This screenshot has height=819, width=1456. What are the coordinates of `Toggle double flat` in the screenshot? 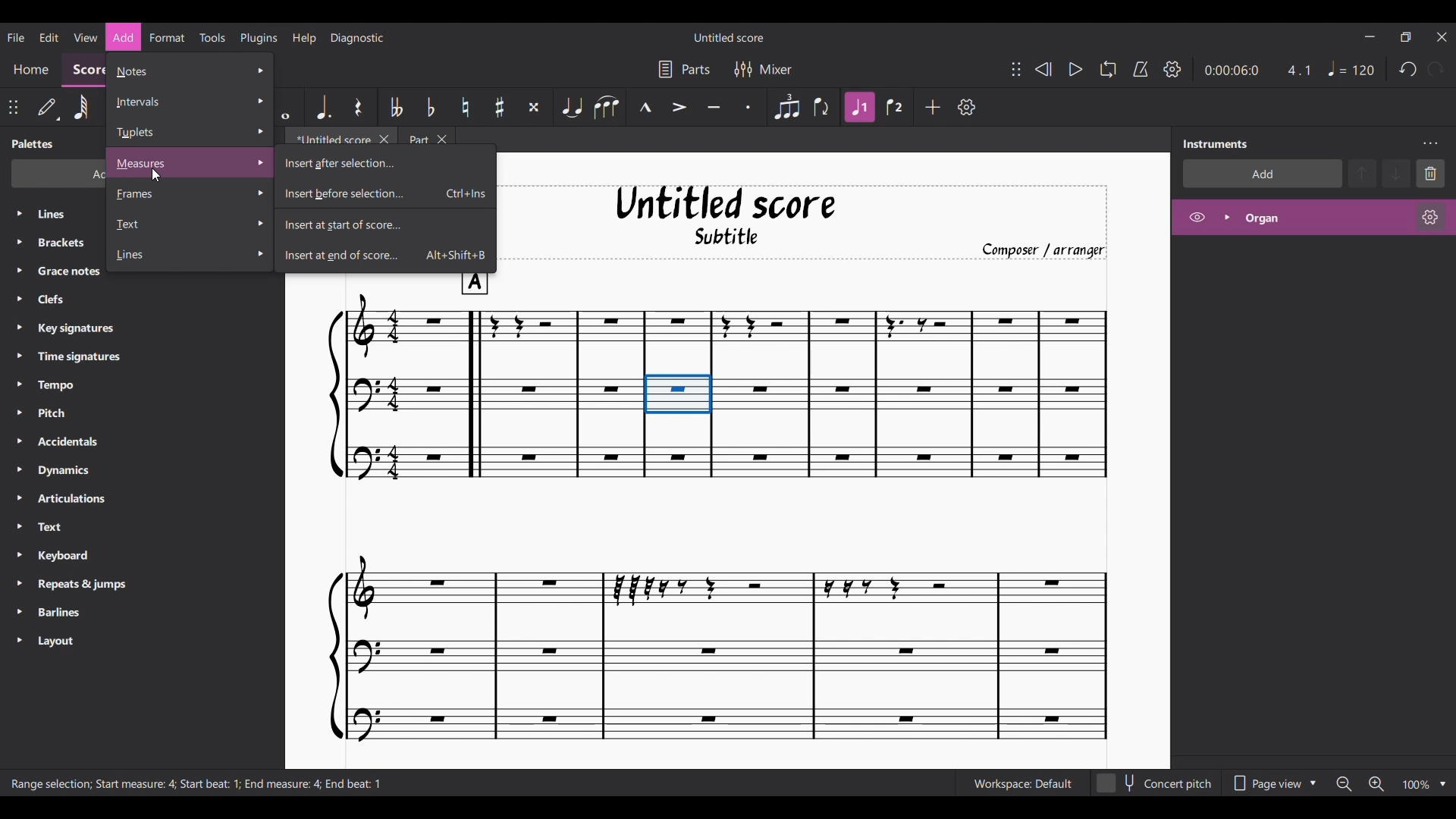 It's located at (395, 107).